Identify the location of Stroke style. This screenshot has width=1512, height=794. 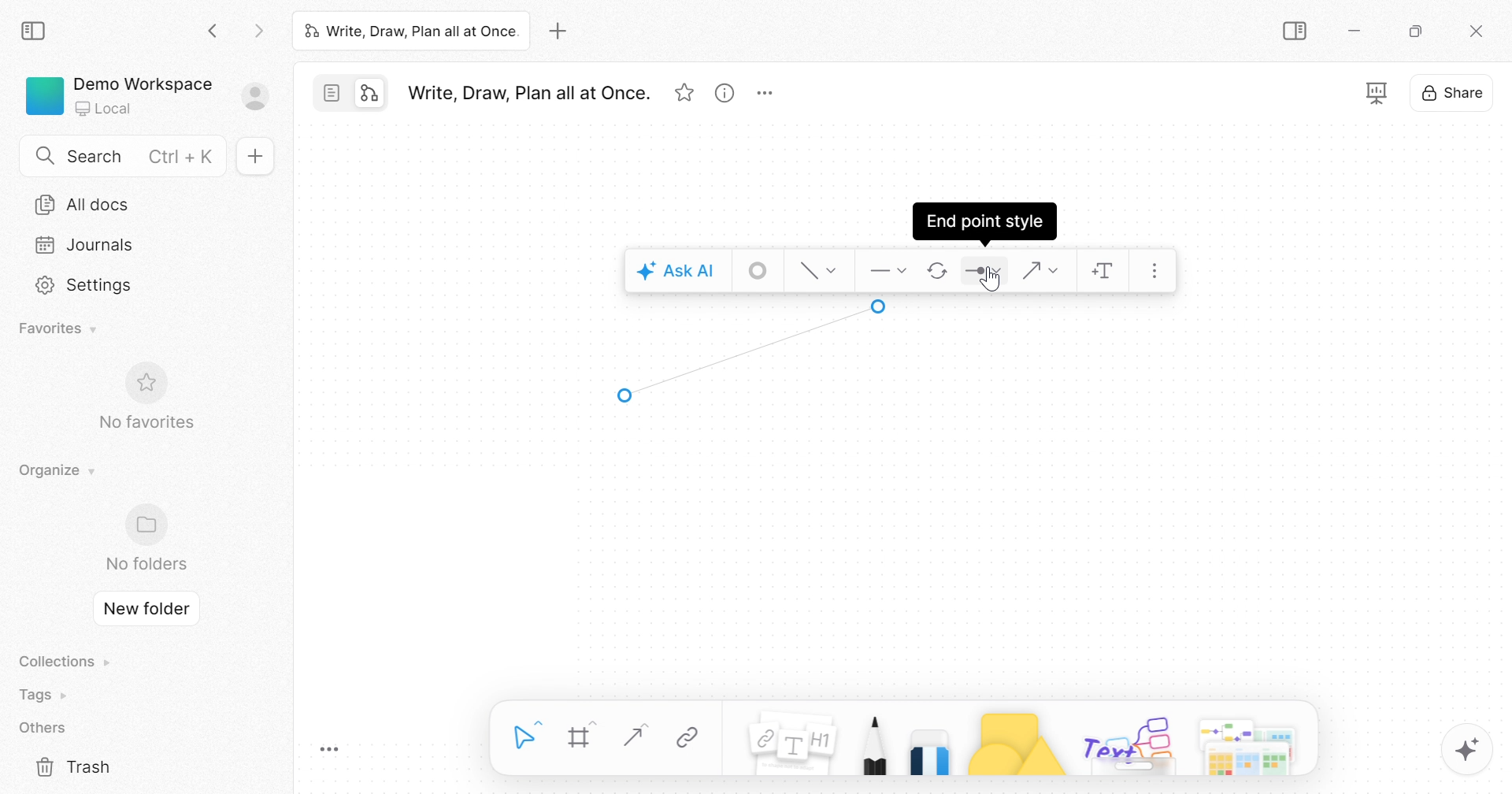
(759, 271).